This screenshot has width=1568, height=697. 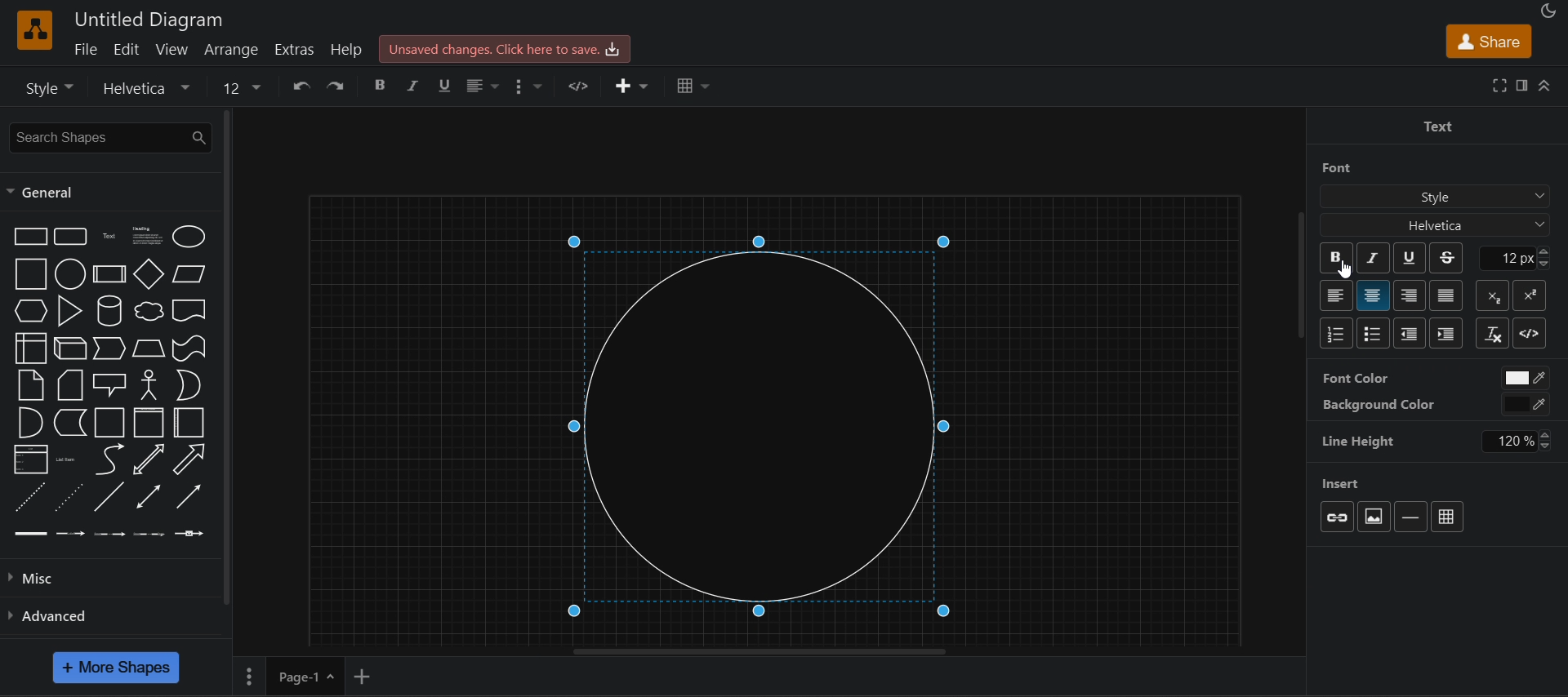 What do you see at coordinates (344, 85) in the screenshot?
I see `redo` at bounding box center [344, 85].